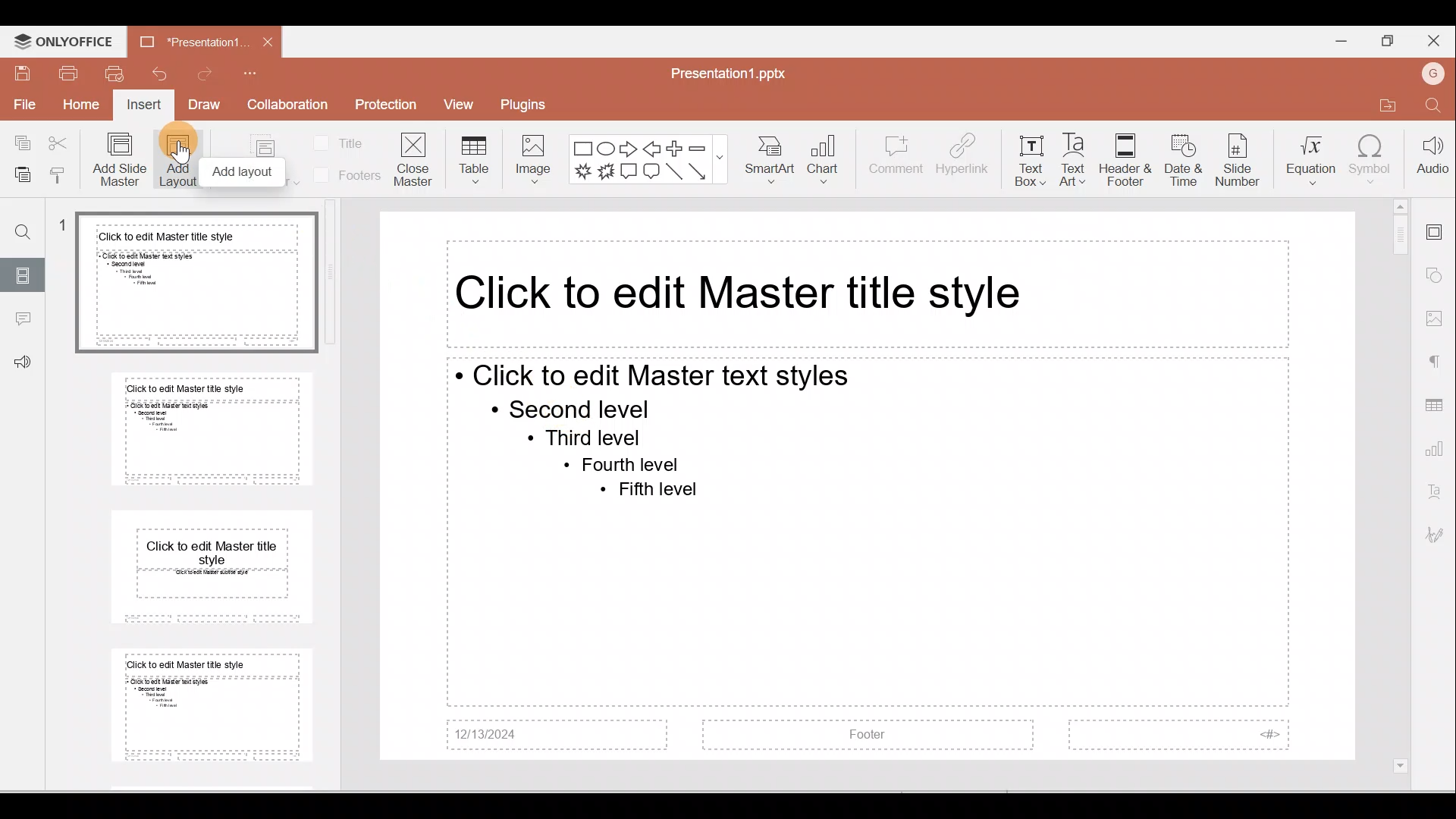  What do you see at coordinates (1437, 452) in the screenshot?
I see `Chart settings` at bounding box center [1437, 452].